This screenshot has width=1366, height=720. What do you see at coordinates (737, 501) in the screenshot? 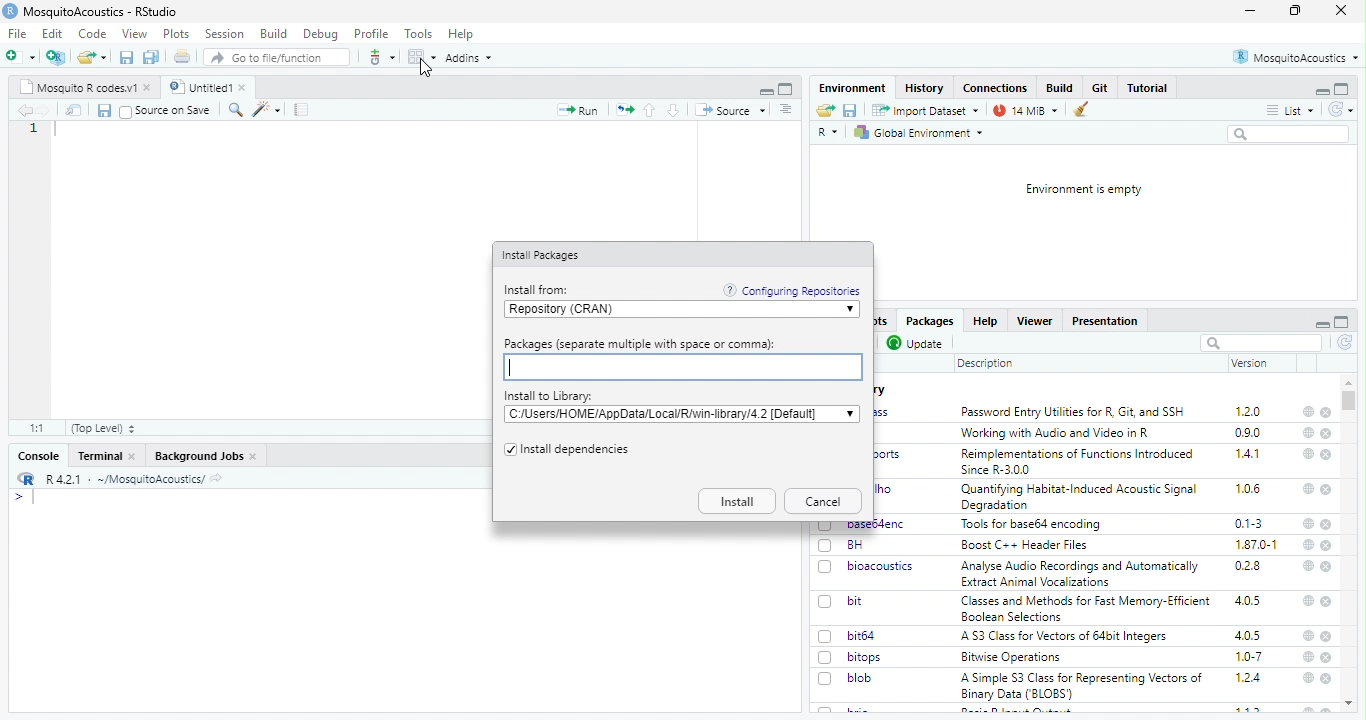
I see `Install` at bounding box center [737, 501].